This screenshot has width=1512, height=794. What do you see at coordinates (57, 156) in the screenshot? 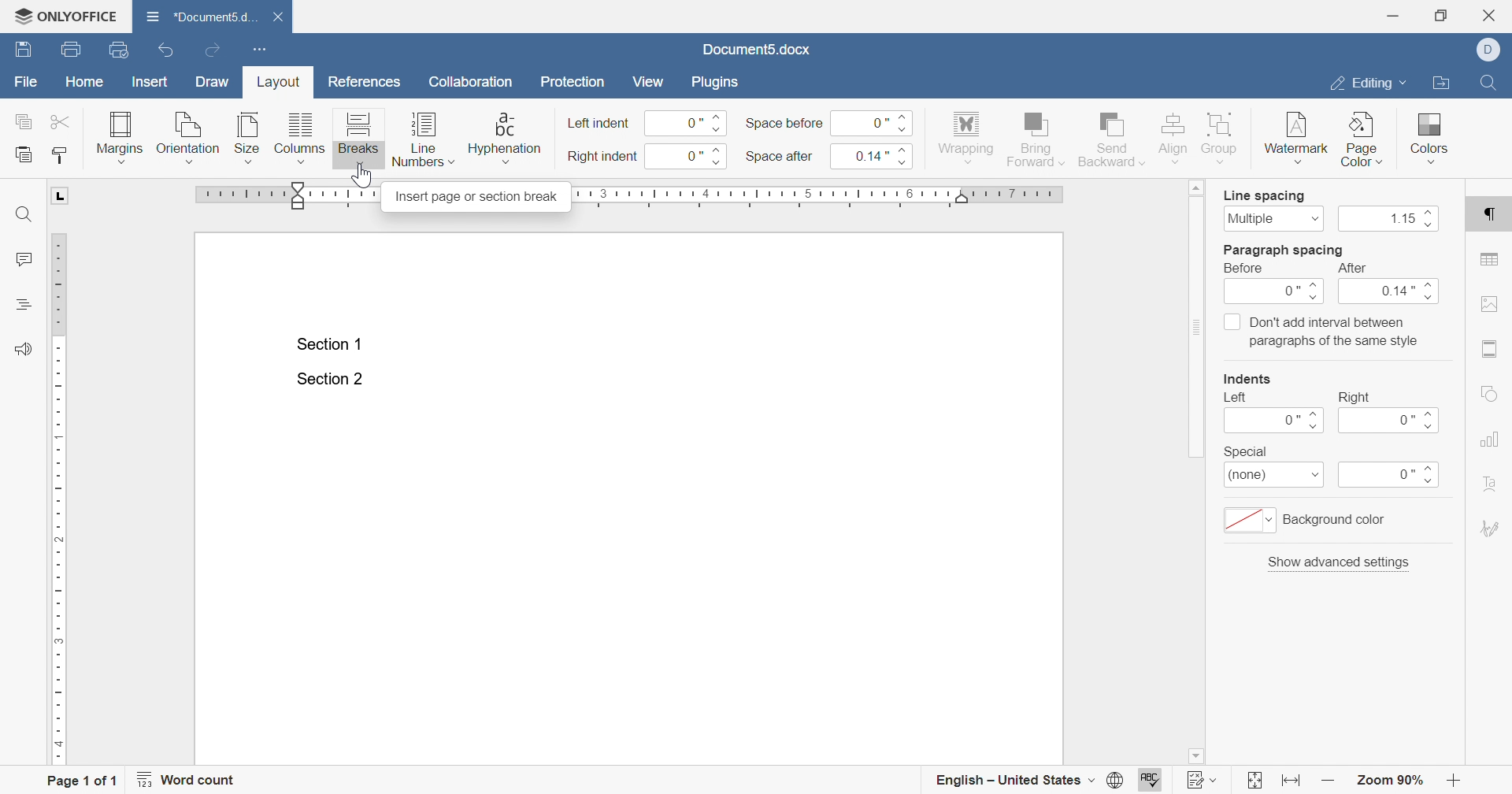
I see `copy style` at bounding box center [57, 156].